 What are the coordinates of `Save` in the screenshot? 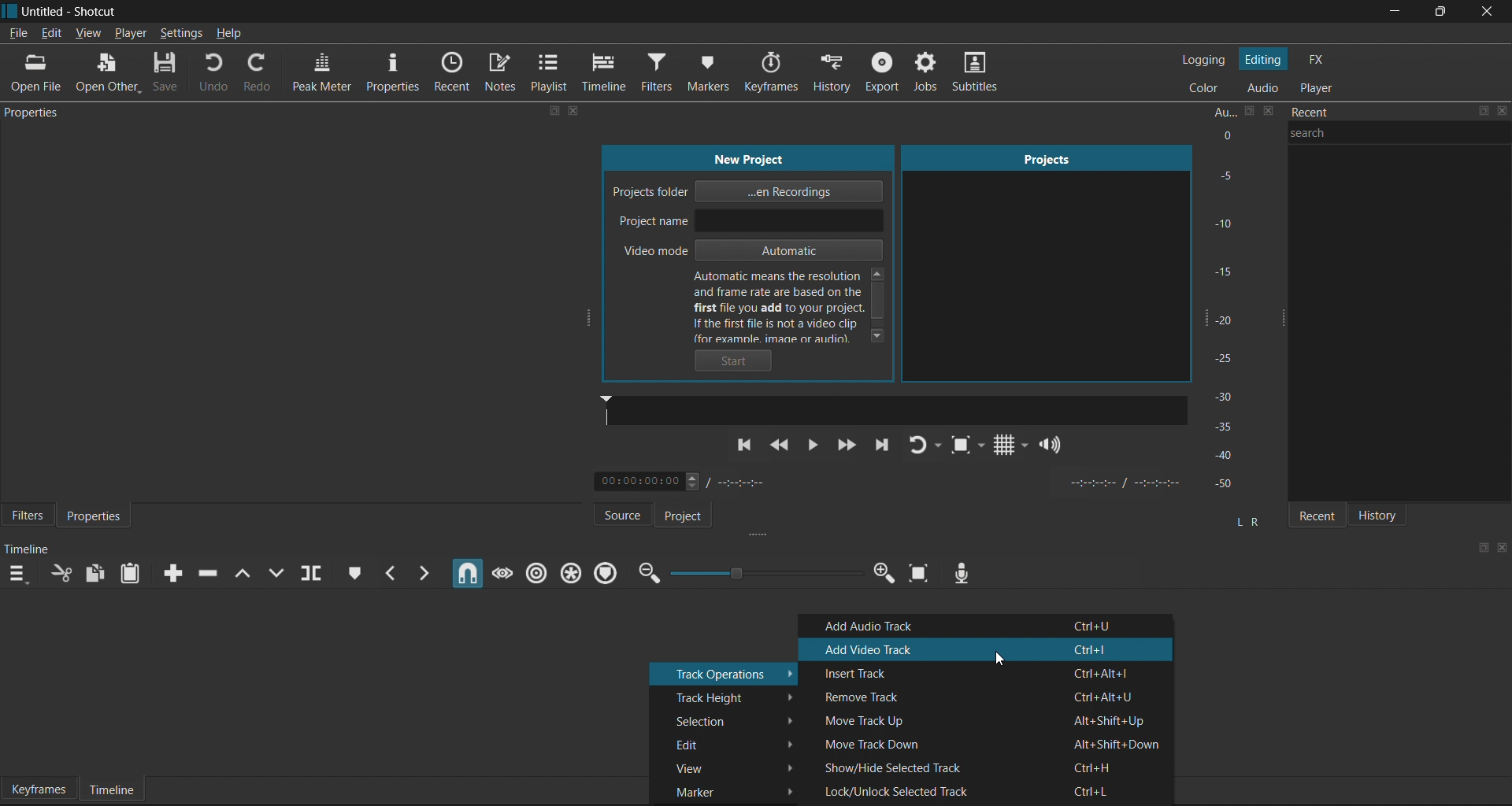 It's located at (167, 74).